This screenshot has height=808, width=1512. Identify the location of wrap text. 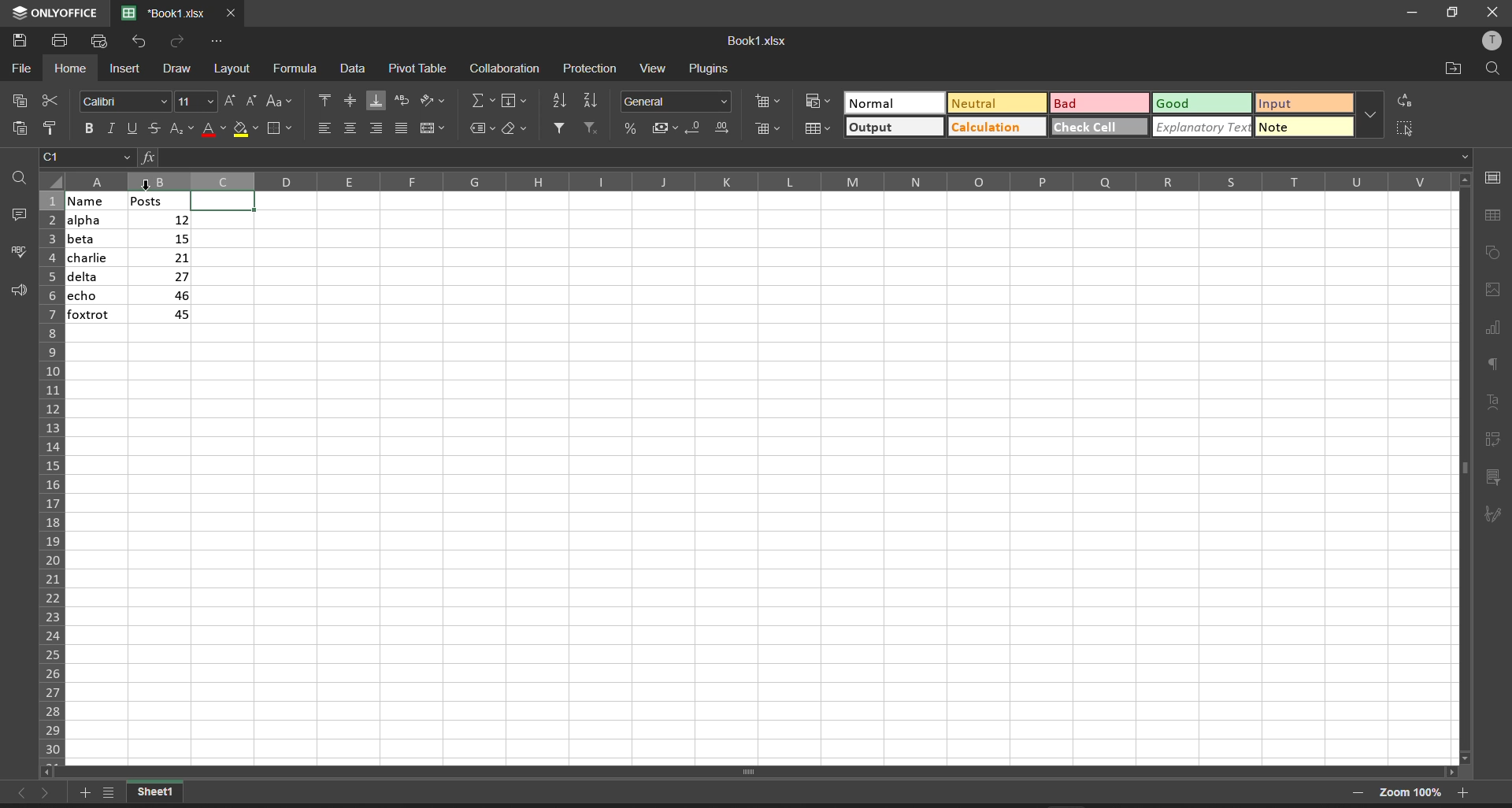
(401, 103).